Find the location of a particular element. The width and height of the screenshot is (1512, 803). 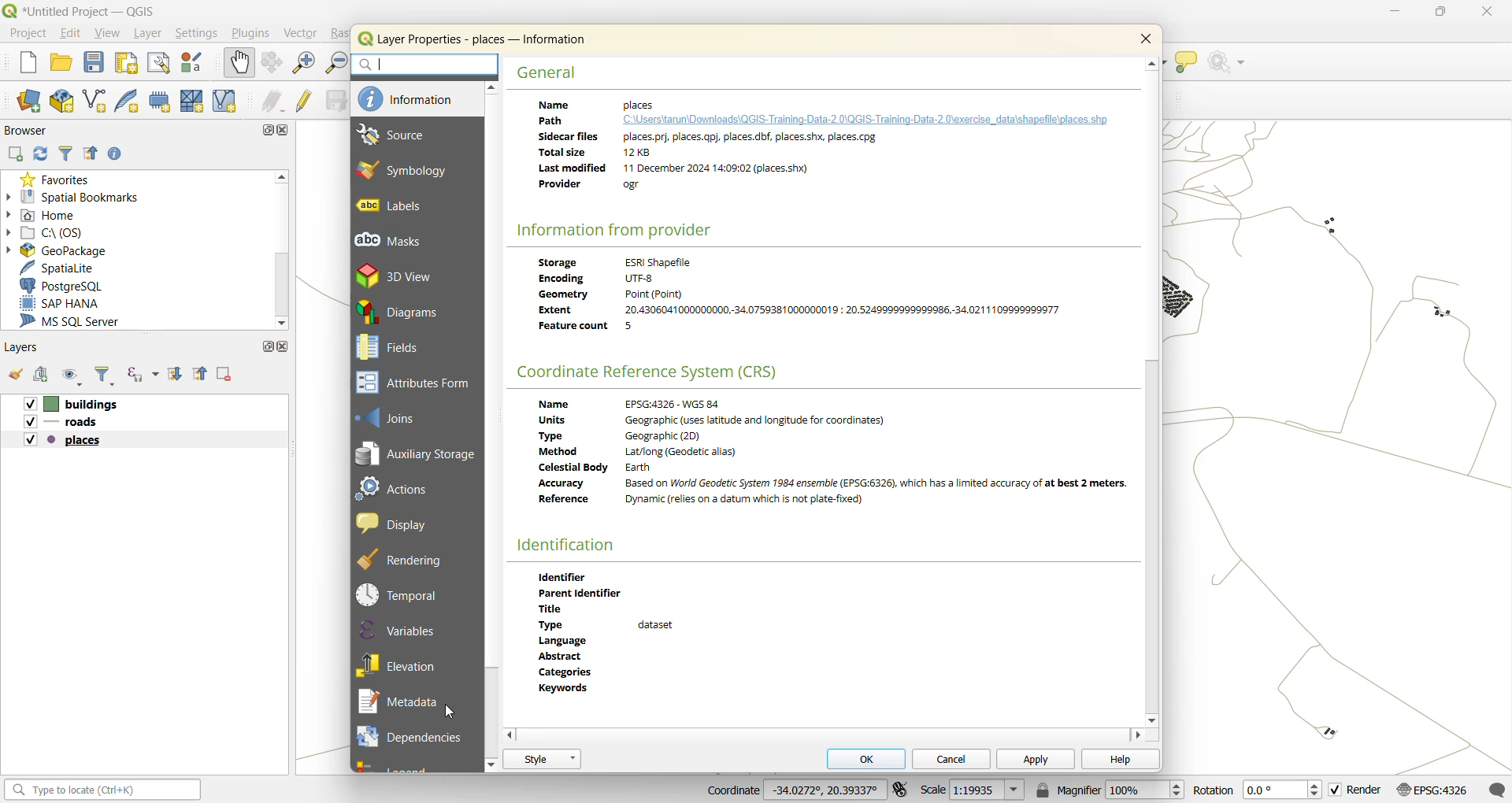

maximize is located at coordinates (1440, 13).